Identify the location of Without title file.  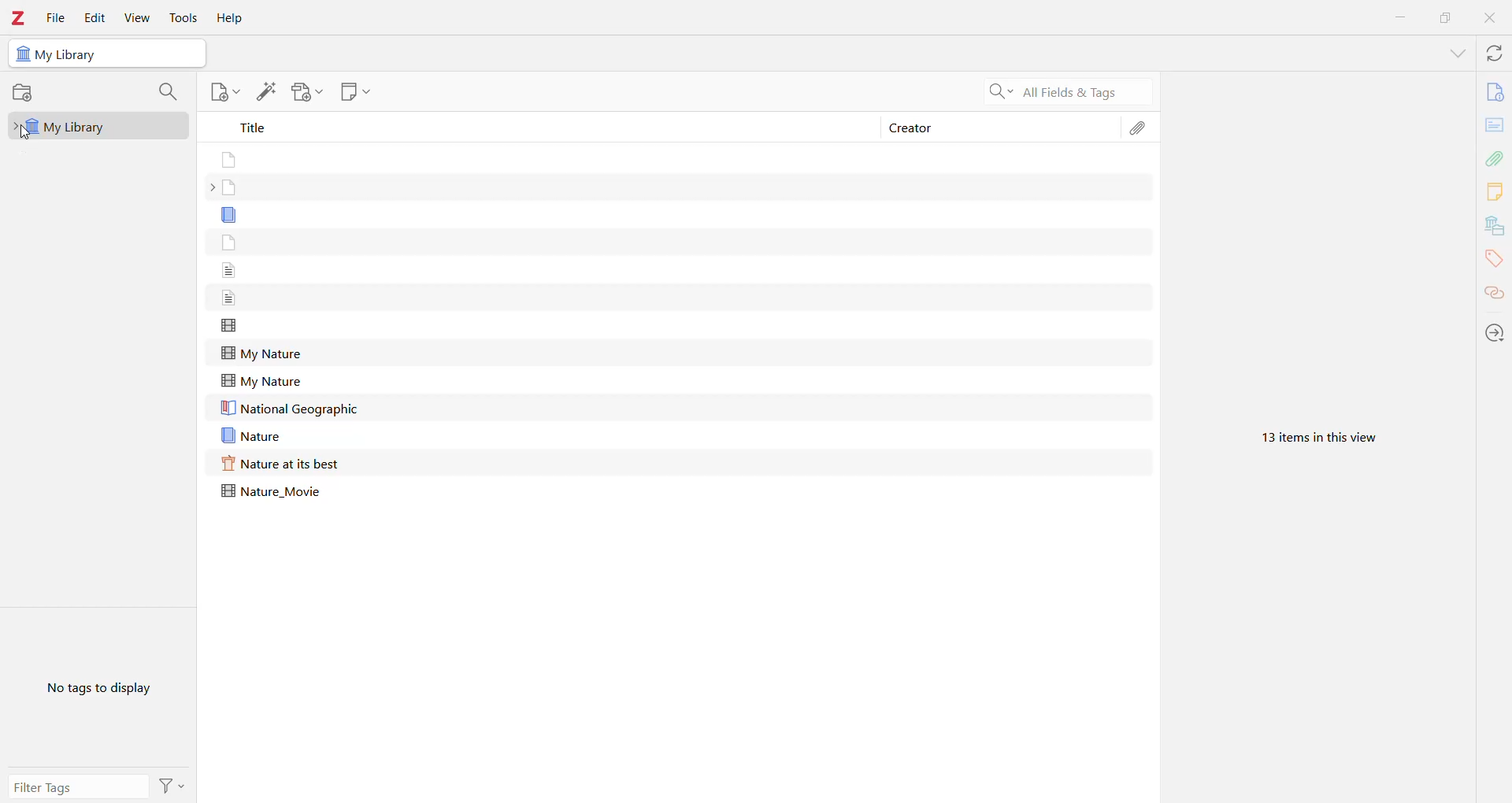
(238, 214).